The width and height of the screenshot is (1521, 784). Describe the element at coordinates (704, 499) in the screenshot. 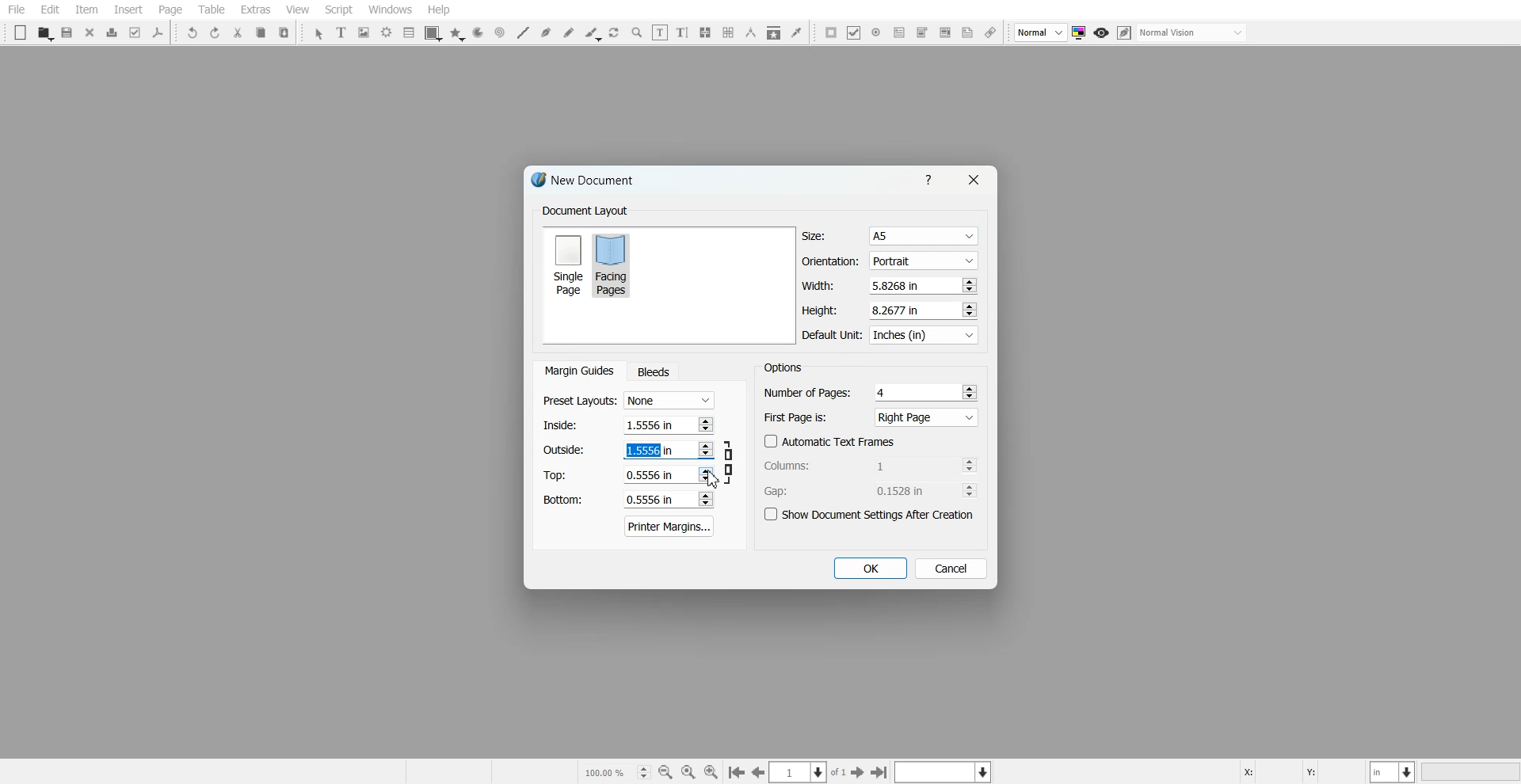

I see `Increase and decrease No. ` at that location.